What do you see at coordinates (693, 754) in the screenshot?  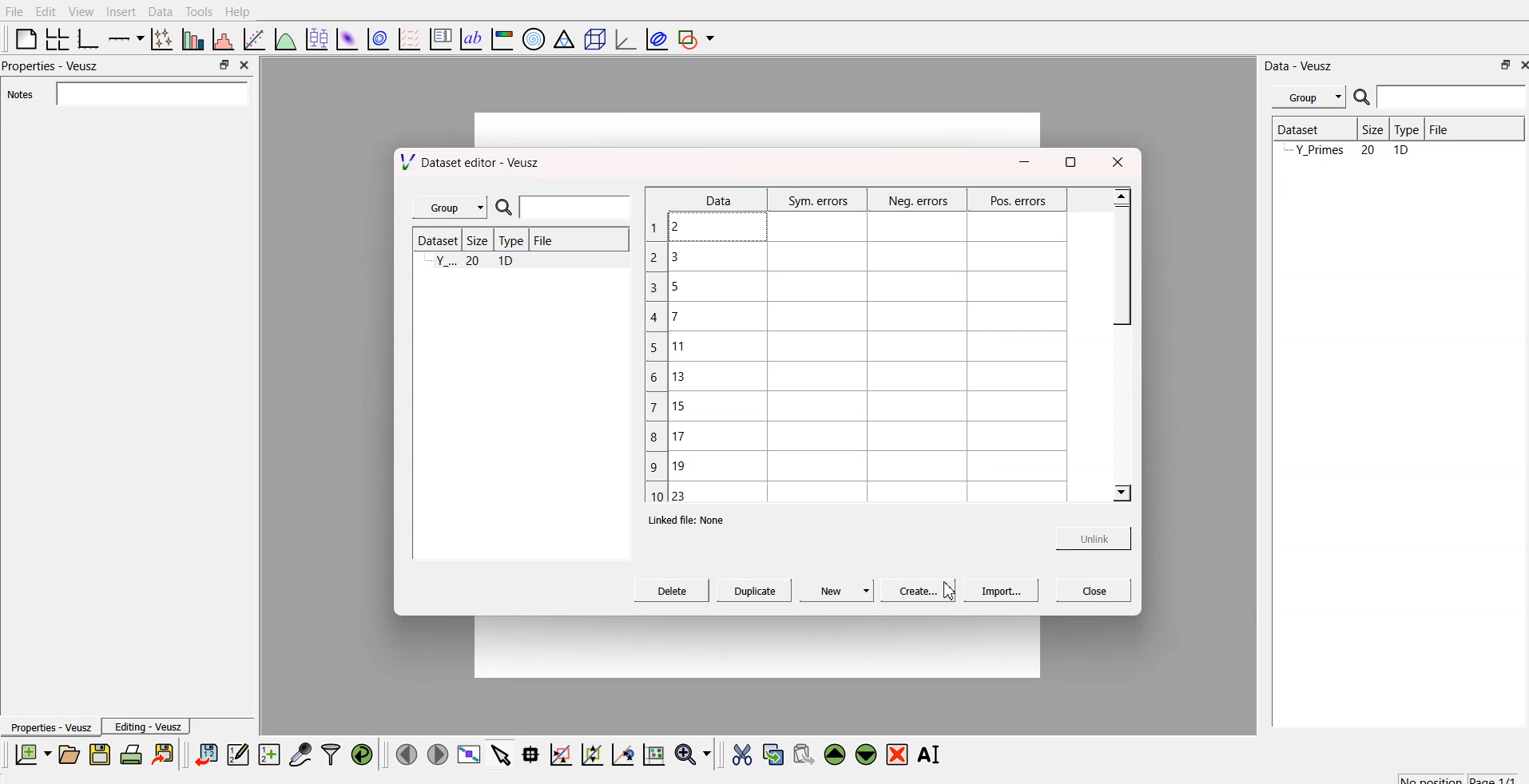 I see `zoom menu` at bounding box center [693, 754].